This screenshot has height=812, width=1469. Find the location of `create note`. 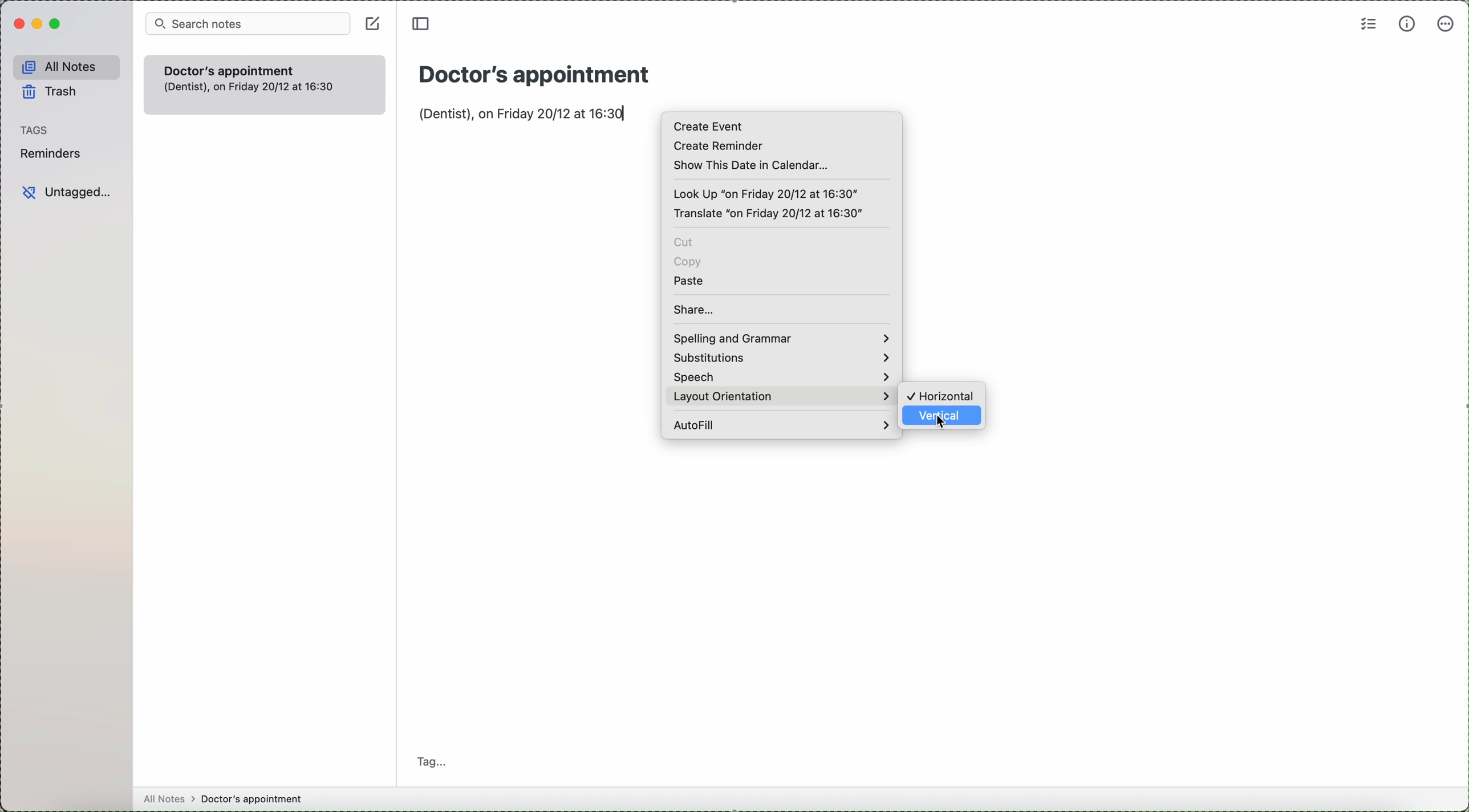

create note is located at coordinates (372, 23).